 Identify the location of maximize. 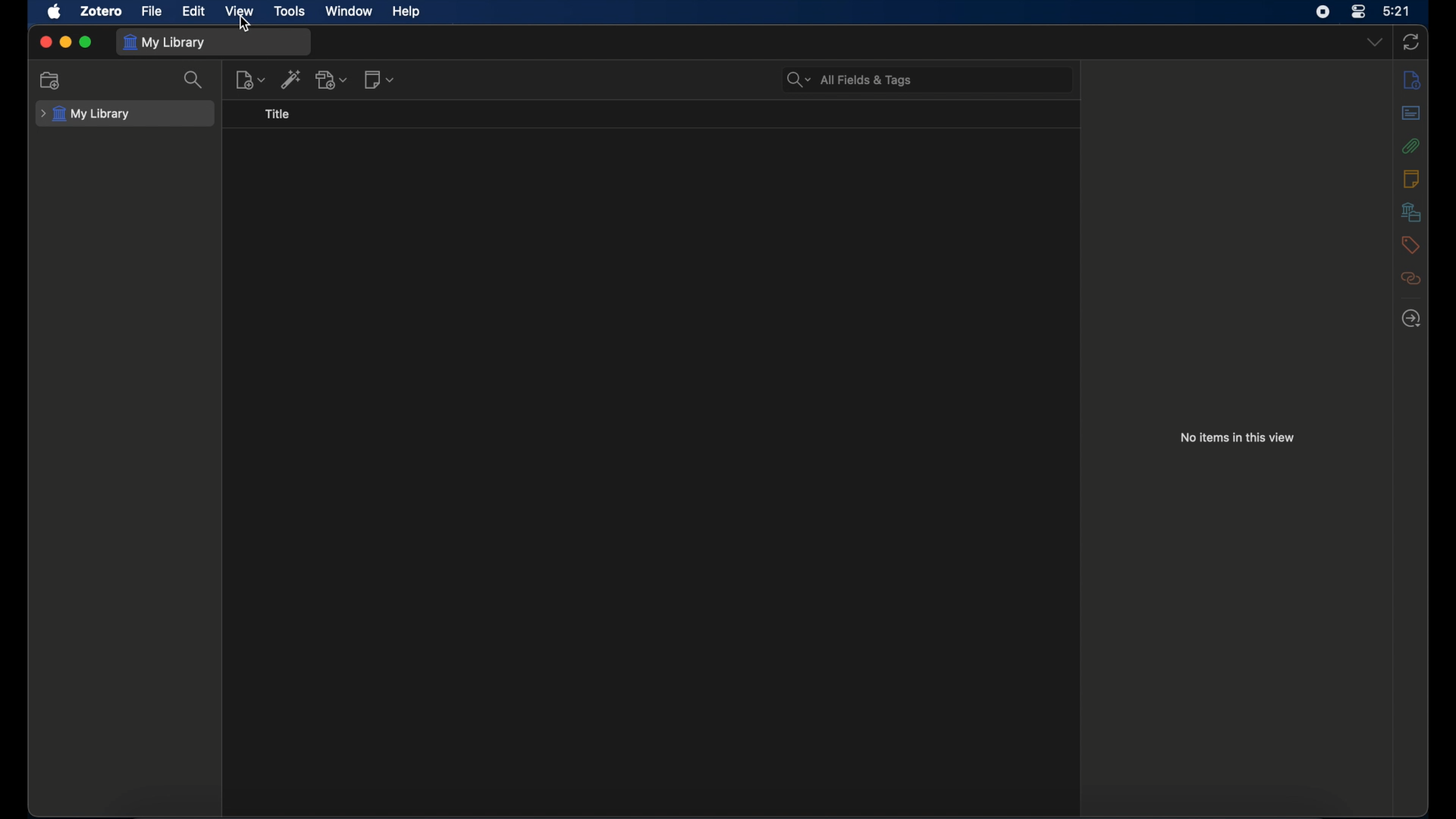
(86, 42).